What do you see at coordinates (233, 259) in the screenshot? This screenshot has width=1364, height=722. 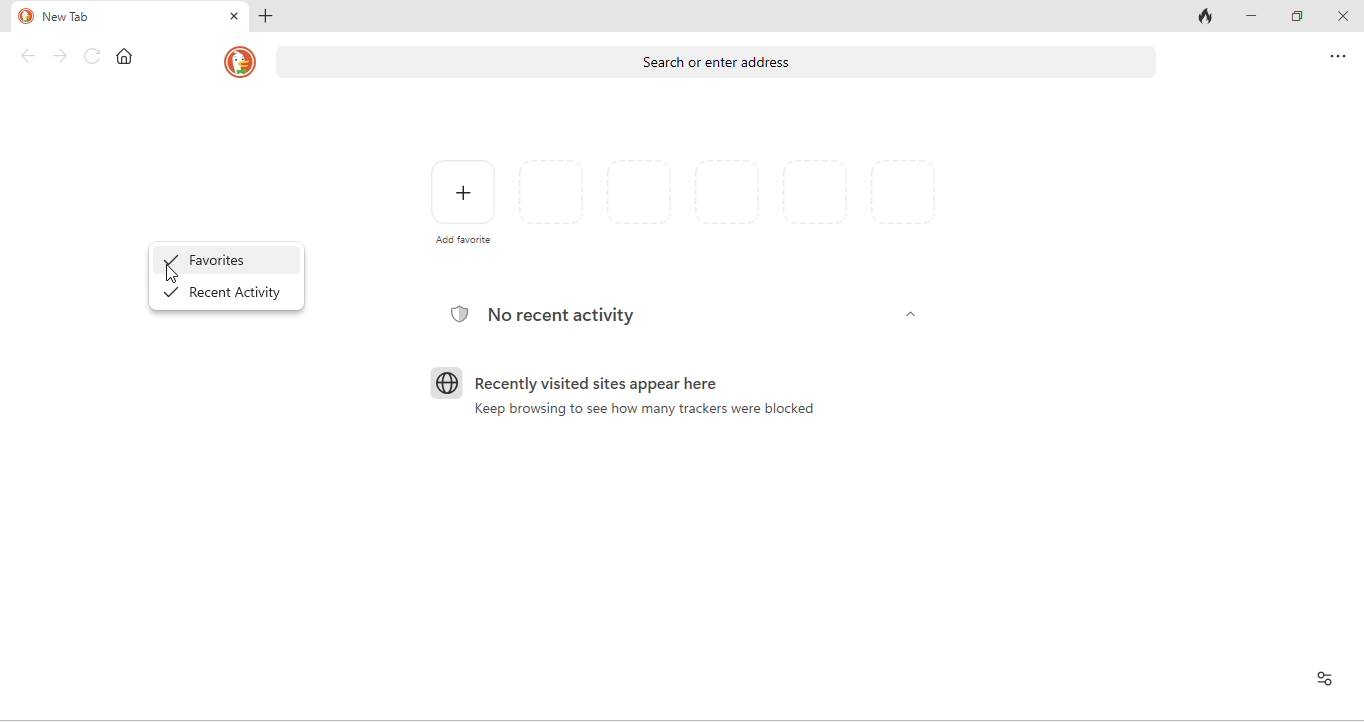 I see `favorites` at bounding box center [233, 259].